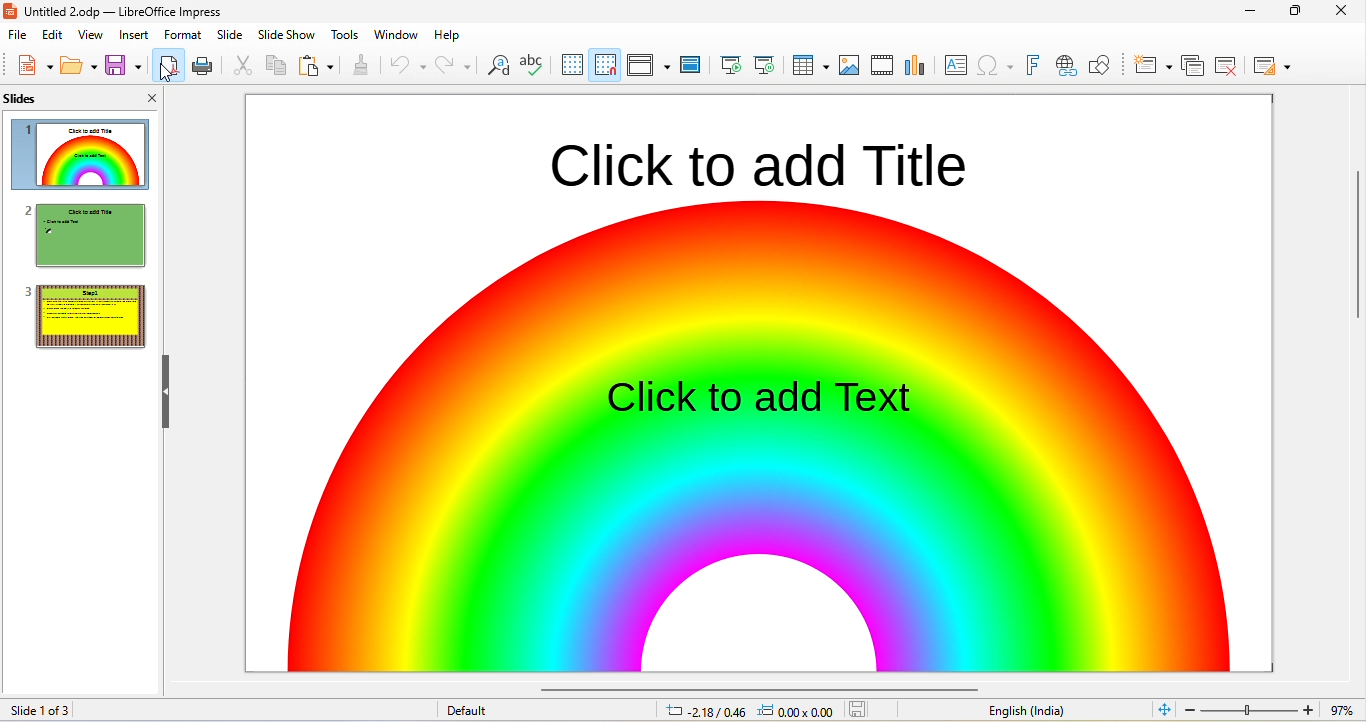  What do you see at coordinates (1346, 11) in the screenshot?
I see `close` at bounding box center [1346, 11].